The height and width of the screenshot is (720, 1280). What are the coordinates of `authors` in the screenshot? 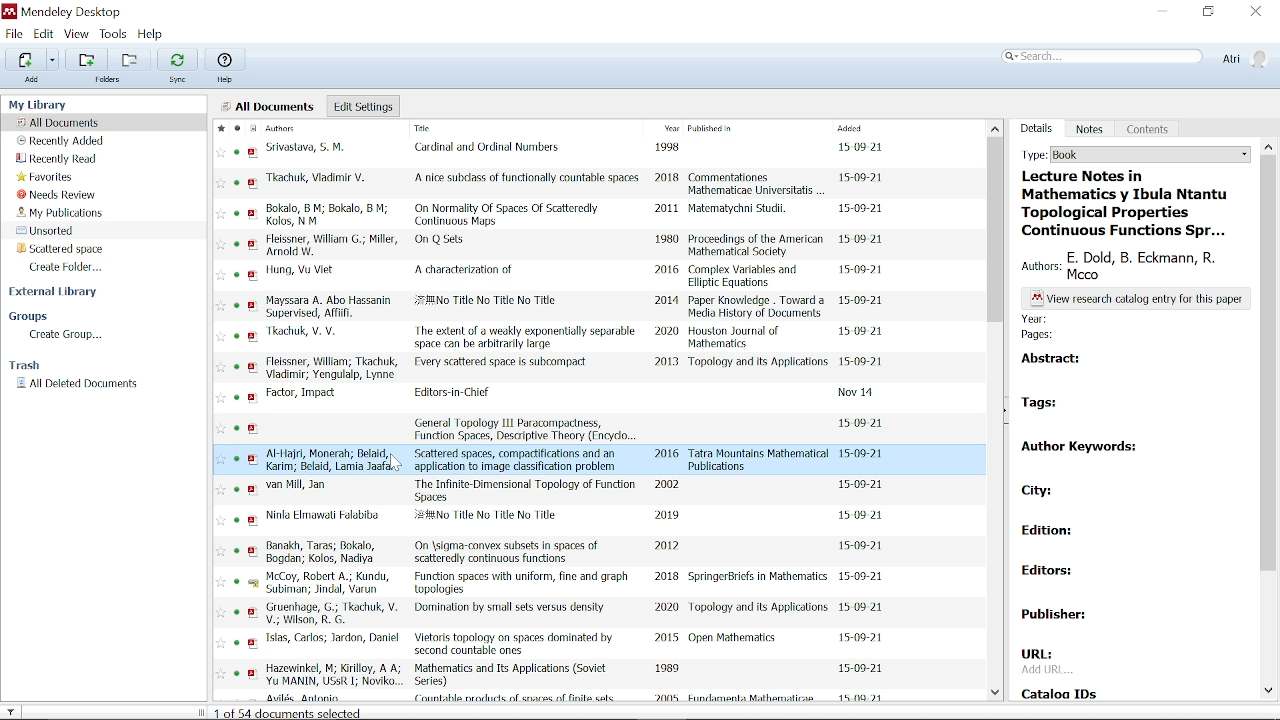 It's located at (312, 334).